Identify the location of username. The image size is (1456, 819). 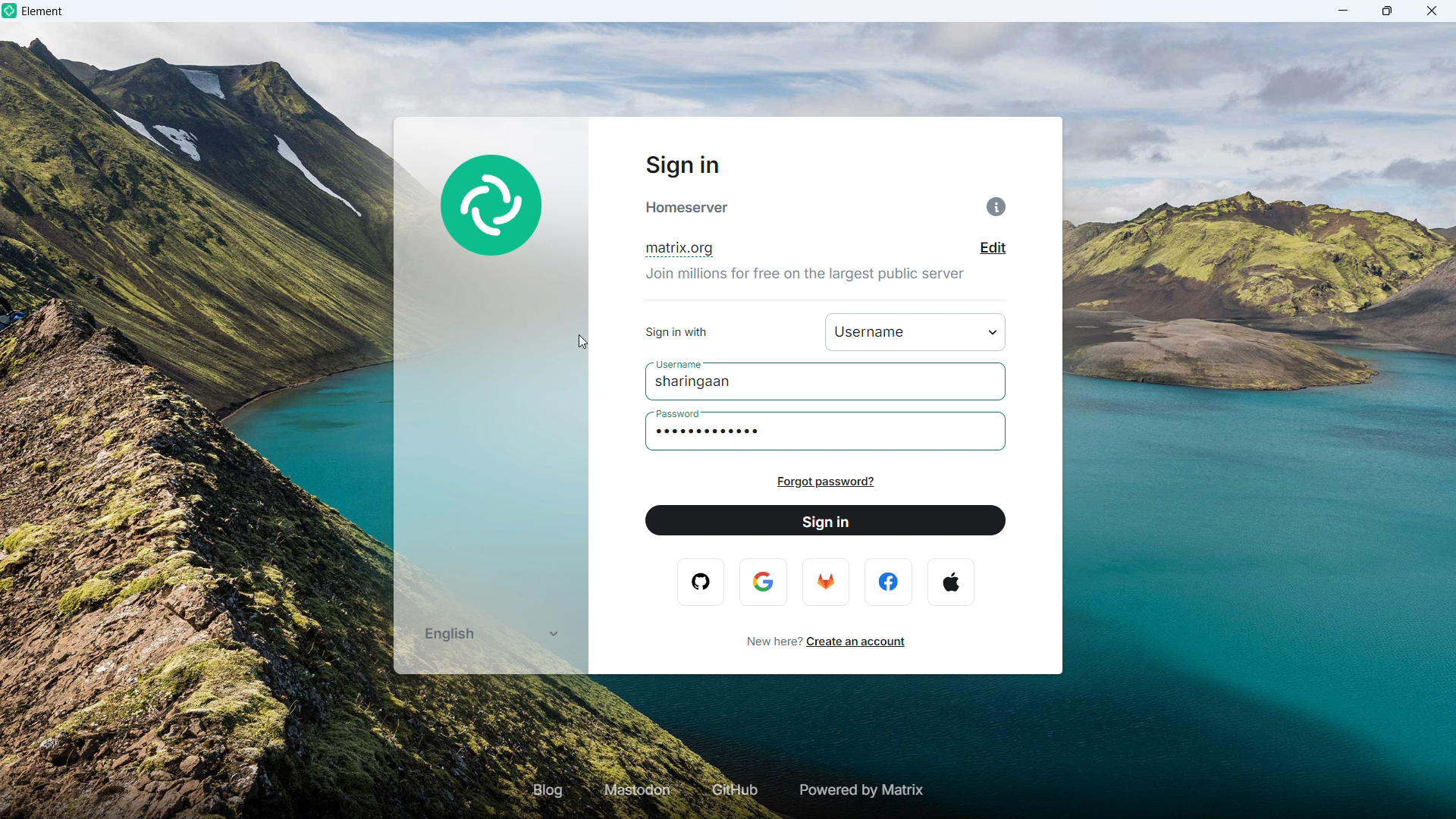
(675, 362).